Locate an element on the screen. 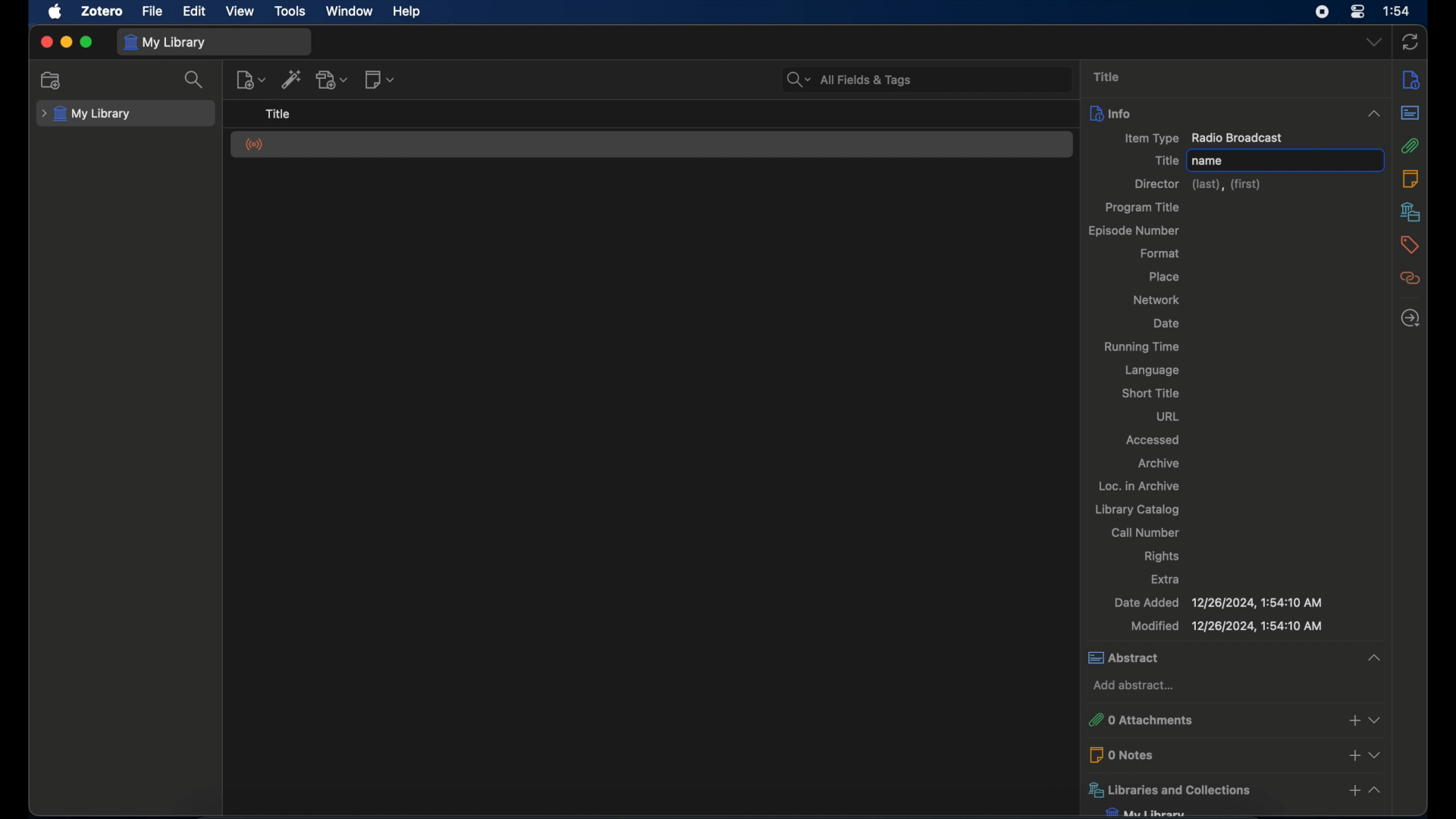 The height and width of the screenshot is (819, 1456). my library is located at coordinates (88, 114).